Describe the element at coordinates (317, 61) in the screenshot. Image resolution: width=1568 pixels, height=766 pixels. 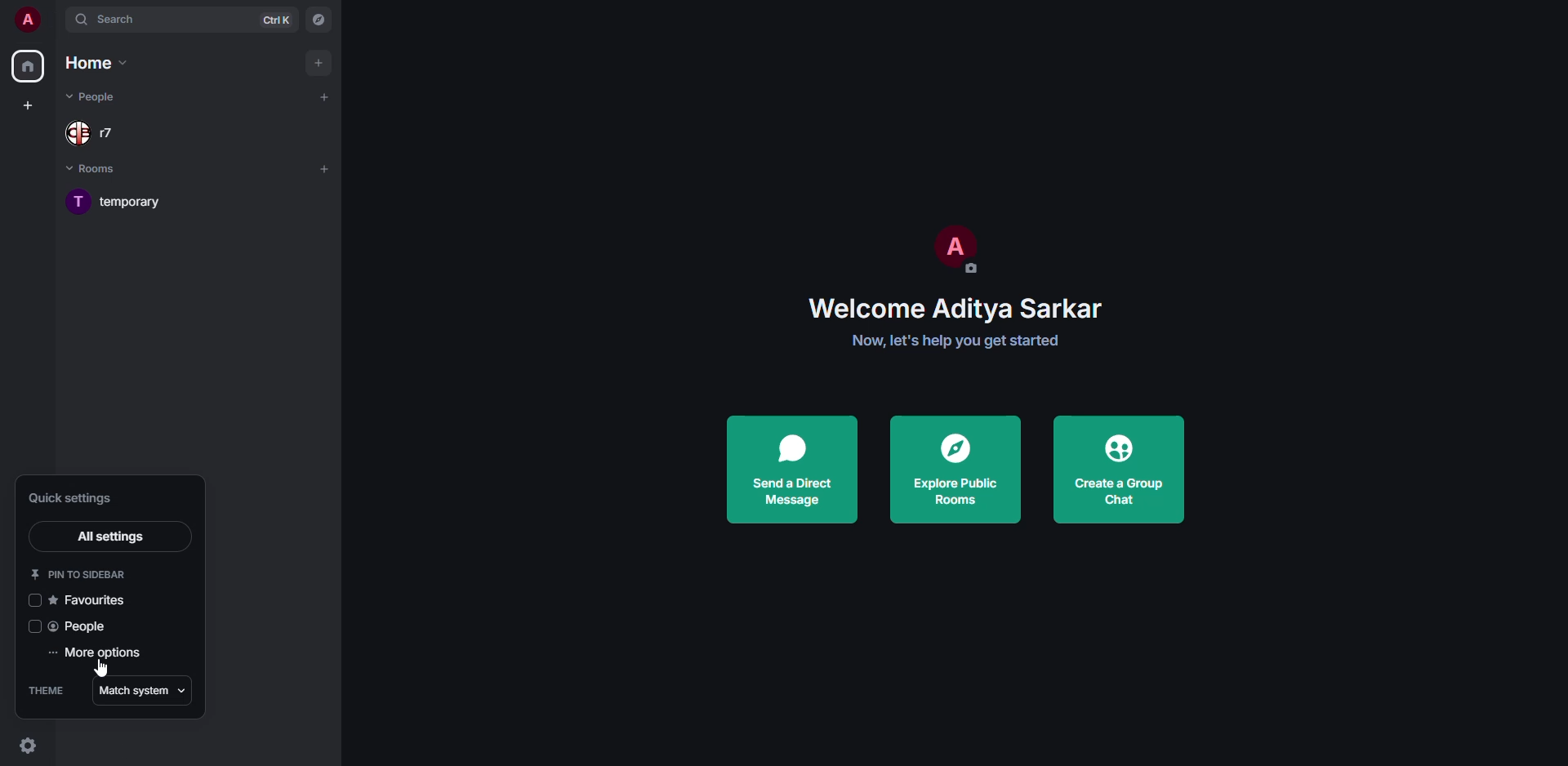
I see `add` at that location.